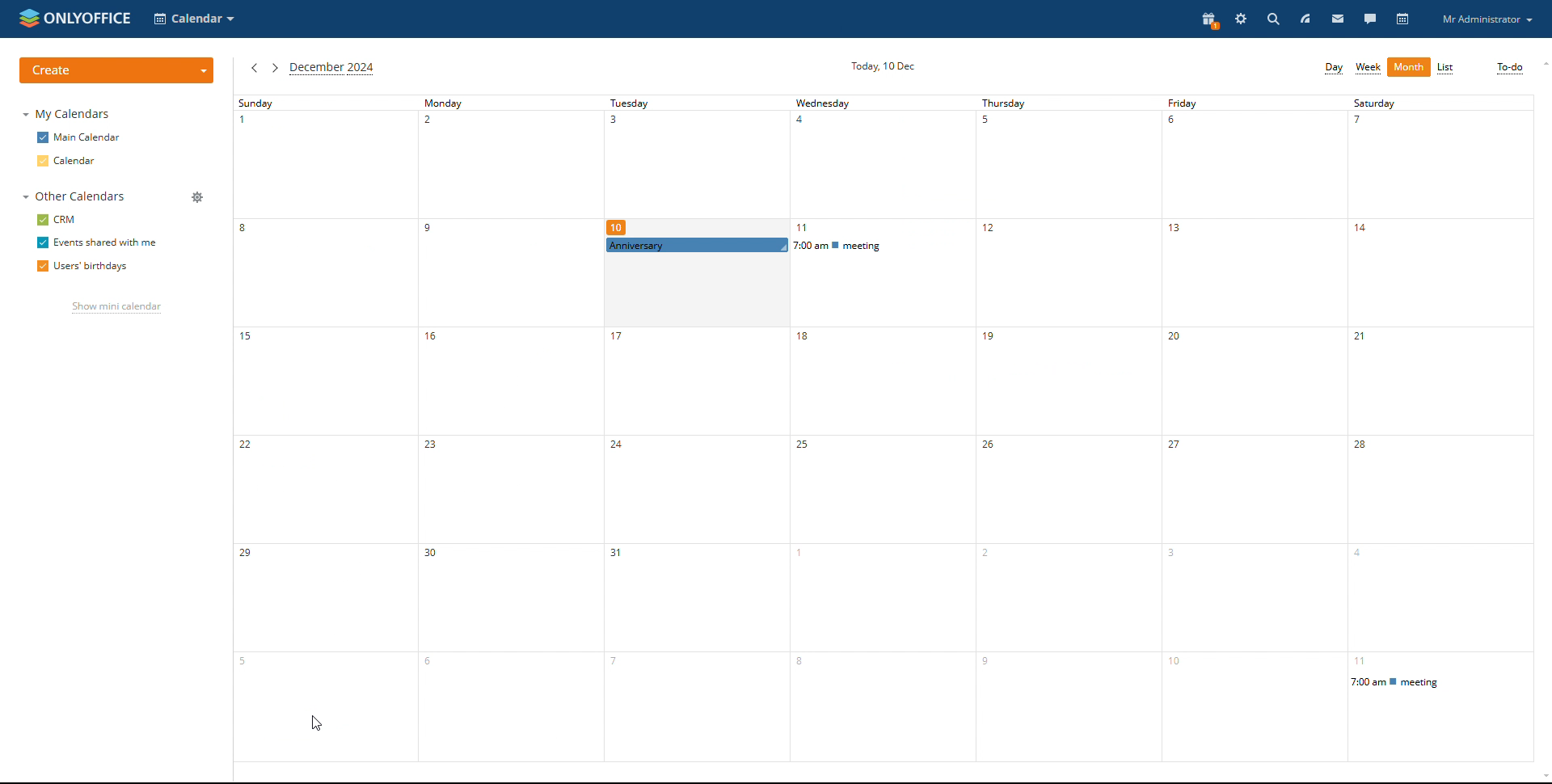 Image resolution: width=1552 pixels, height=784 pixels. I want to click on current date, so click(882, 65).